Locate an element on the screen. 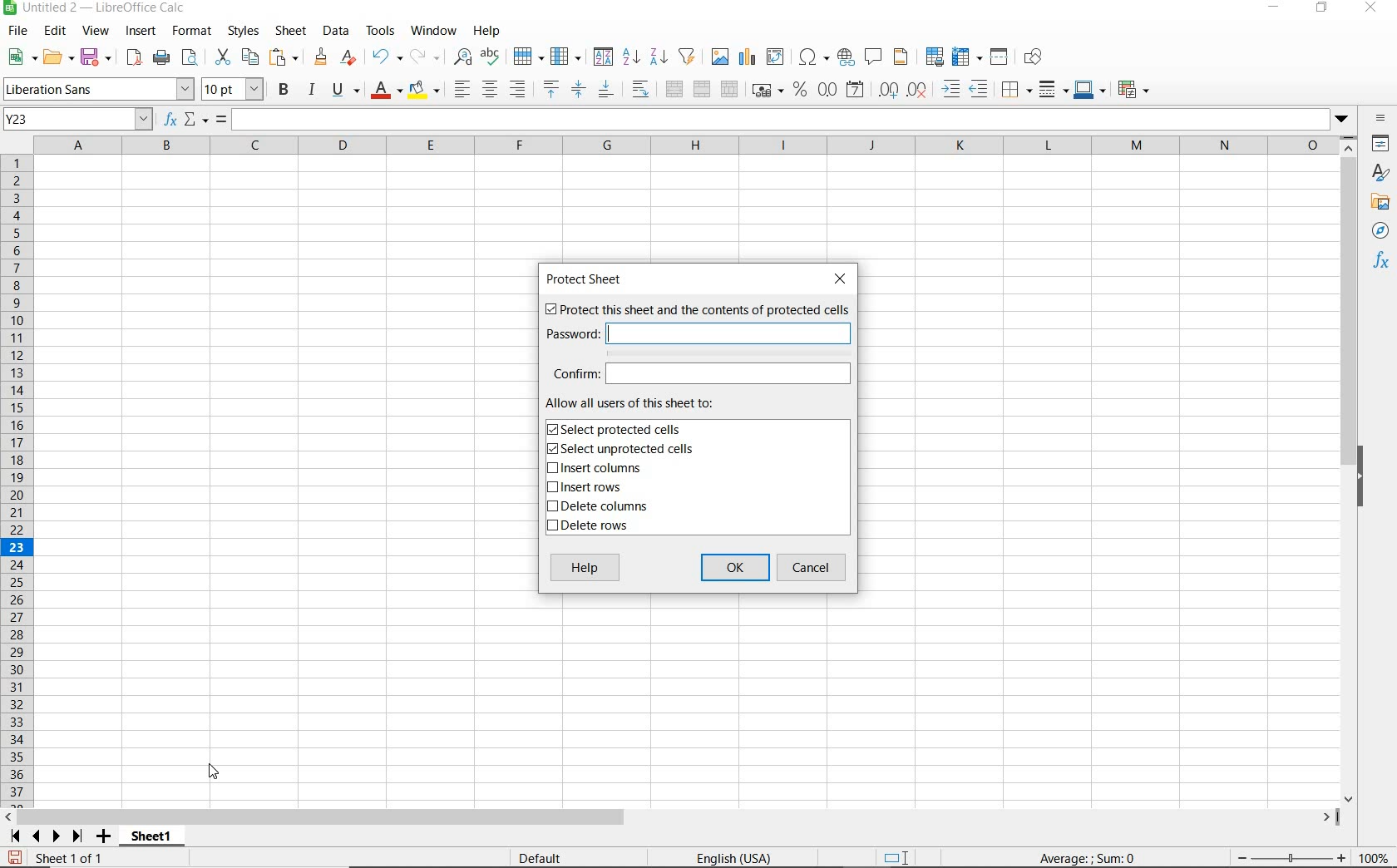  INSERT COMMENT is located at coordinates (873, 56).